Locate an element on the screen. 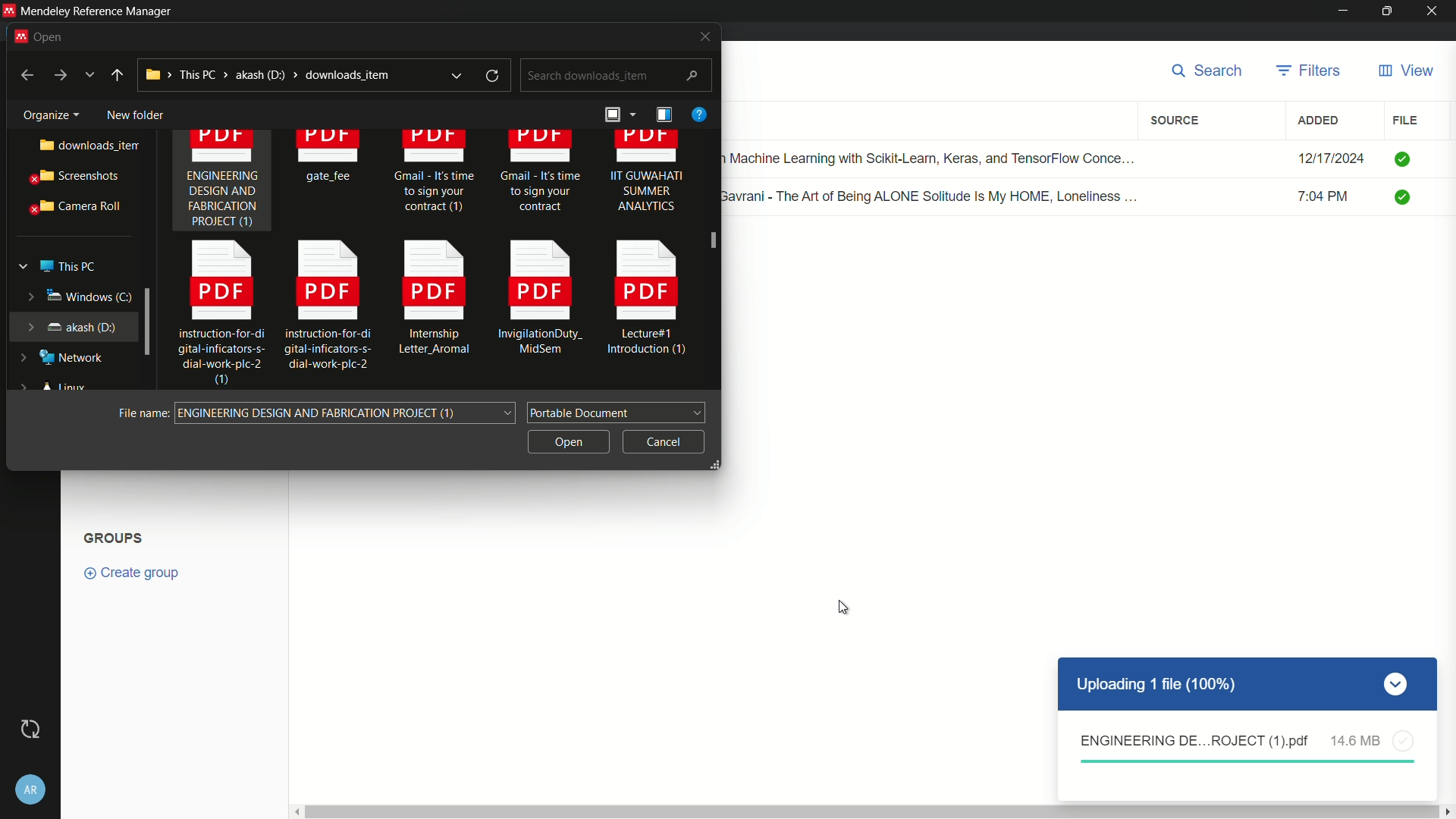 The image size is (1456, 819). Renuka Gavrani - The Art of Being ALONE Solitude Is My HOME, Loneliness ... is located at coordinates (937, 195).